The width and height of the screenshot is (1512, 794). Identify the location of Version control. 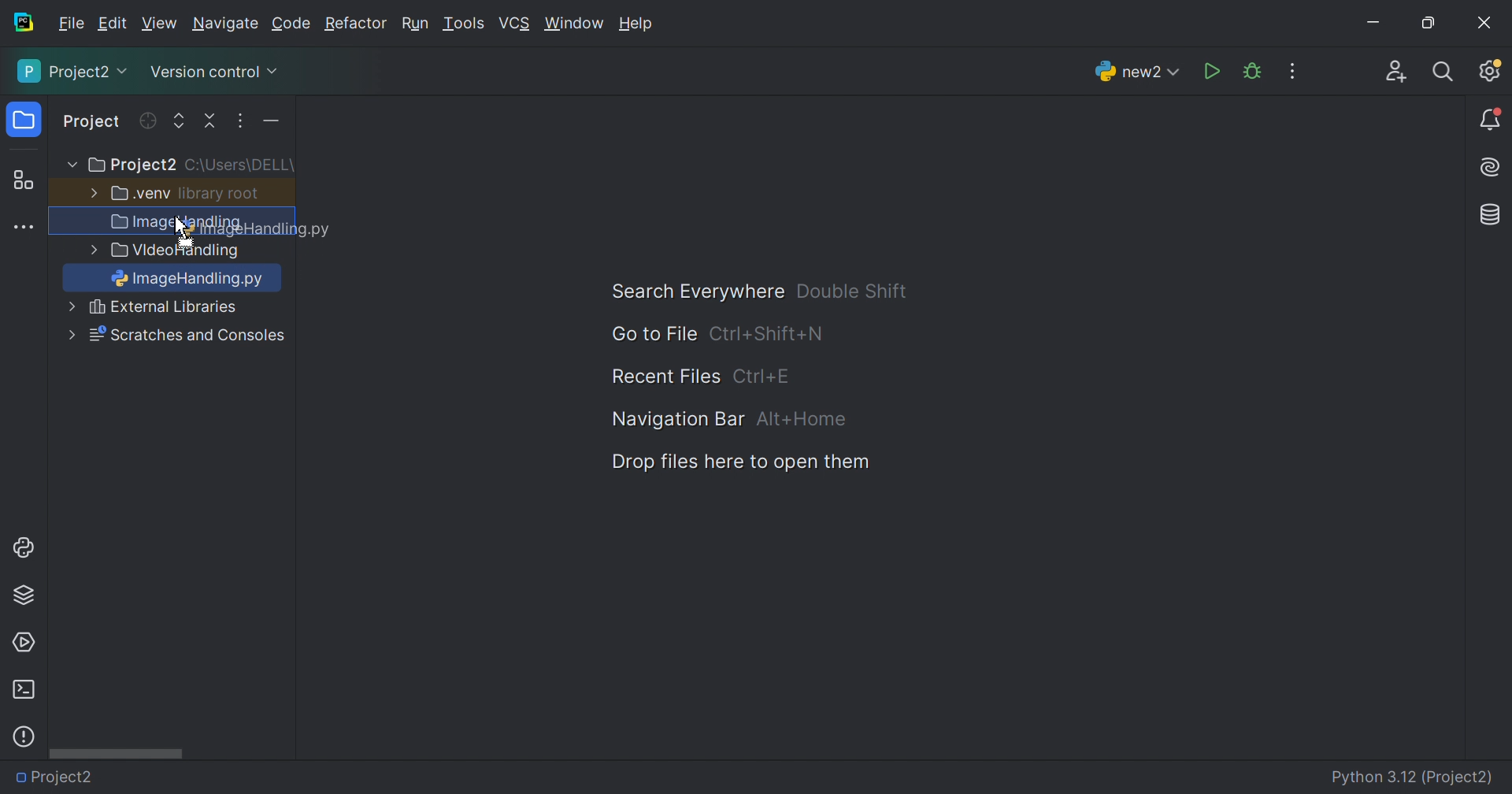
(213, 75).